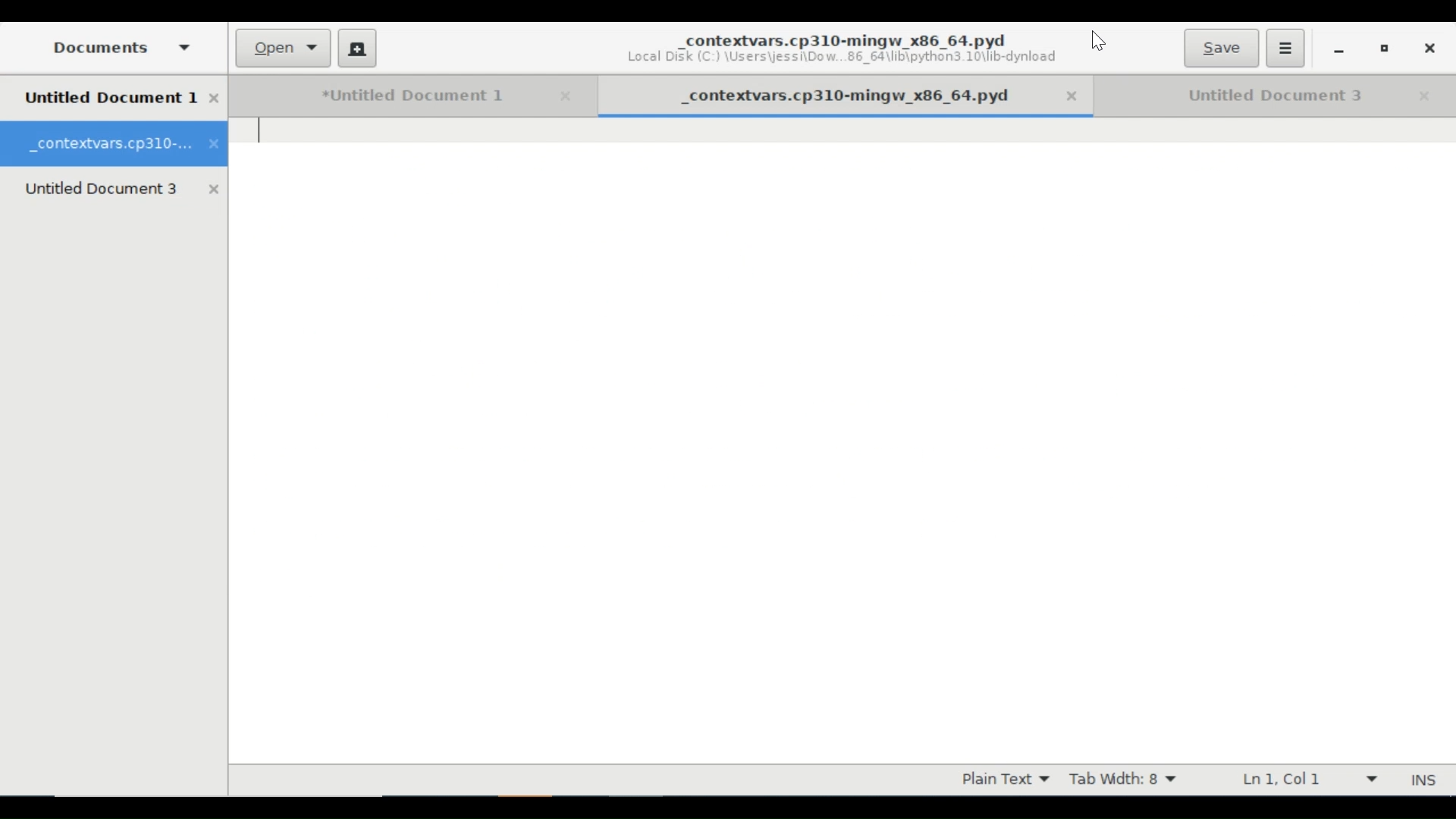 The image size is (1456, 819). I want to click on restore, so click(1385, 51).